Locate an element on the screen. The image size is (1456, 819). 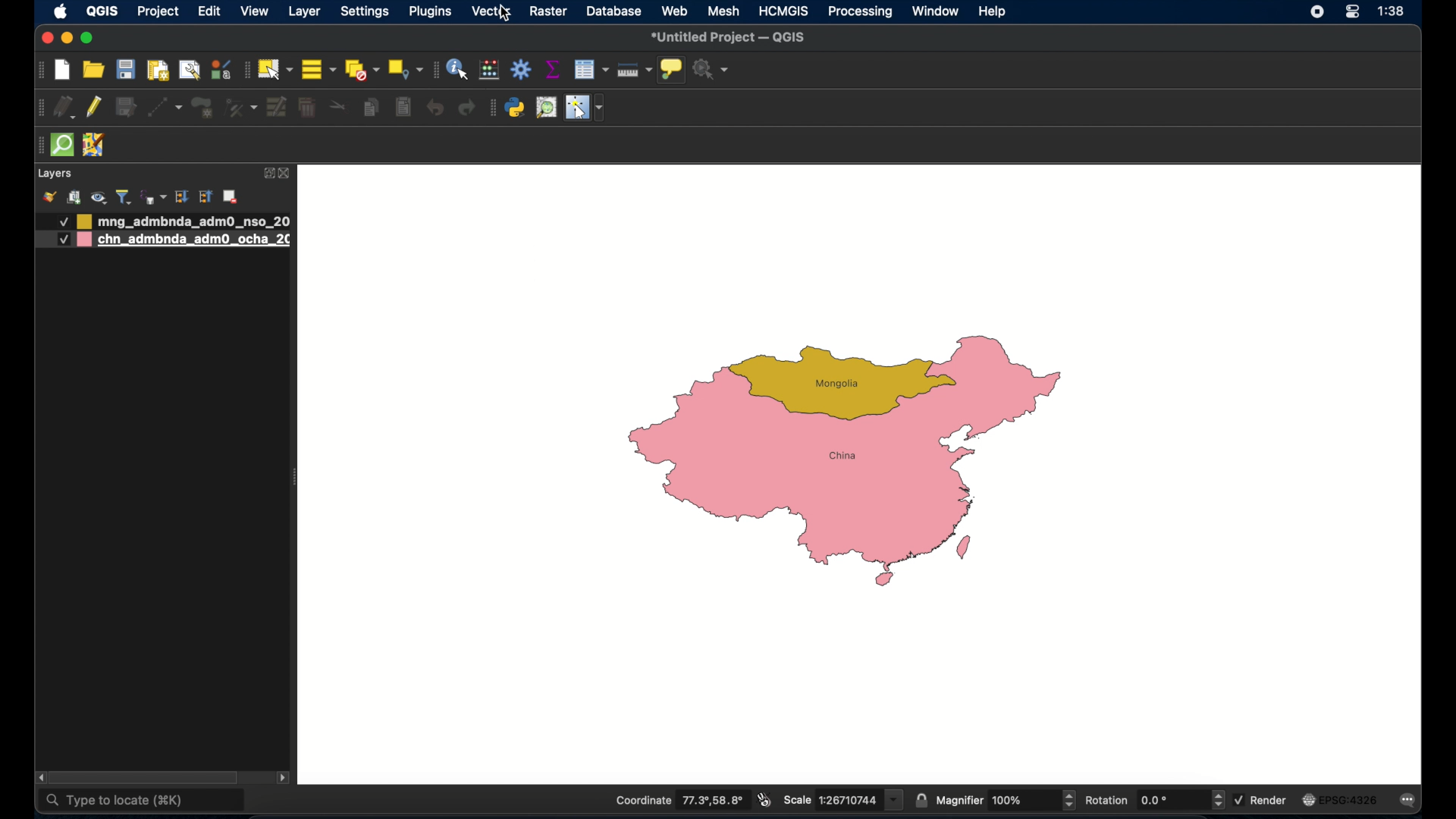
attributes toolbar is located at coordinates (433, 69).